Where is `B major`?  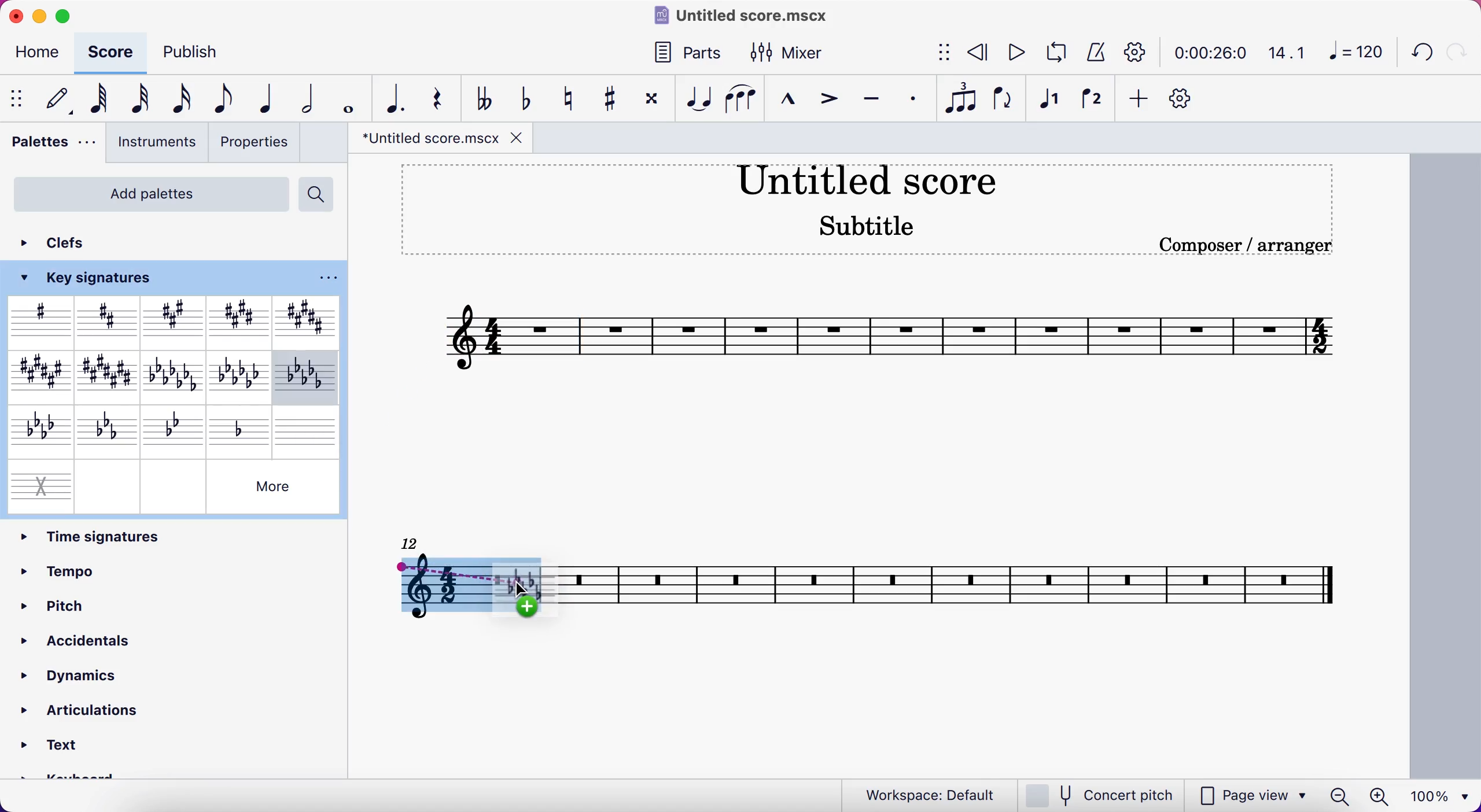 B major is located at coordinates (303, 317).